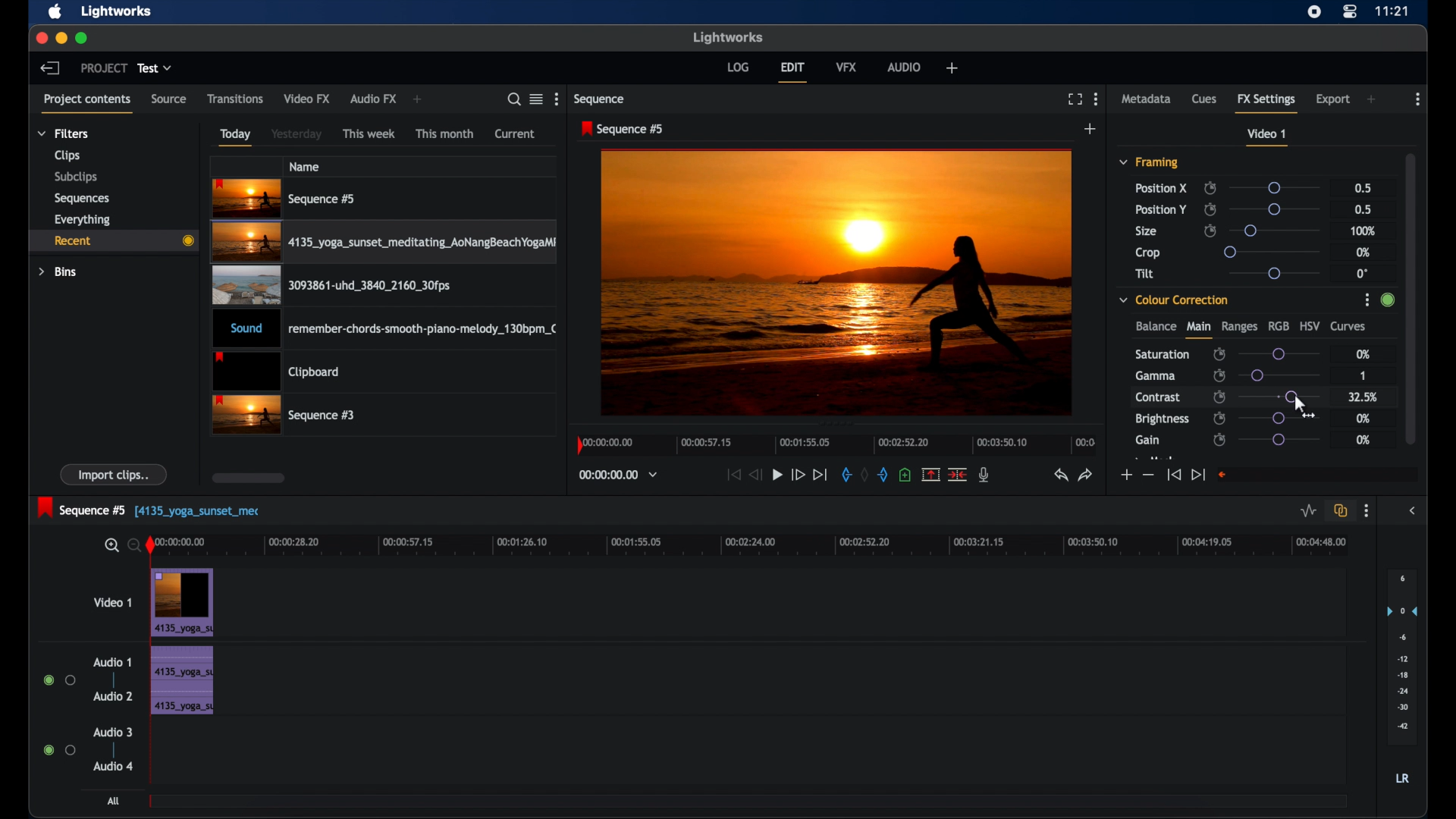 Image resolution: width=1456 pixels, height=819 pixels. Describe the element at coordinates (1348, 327) in the screenshot. I see `curves` at that location.